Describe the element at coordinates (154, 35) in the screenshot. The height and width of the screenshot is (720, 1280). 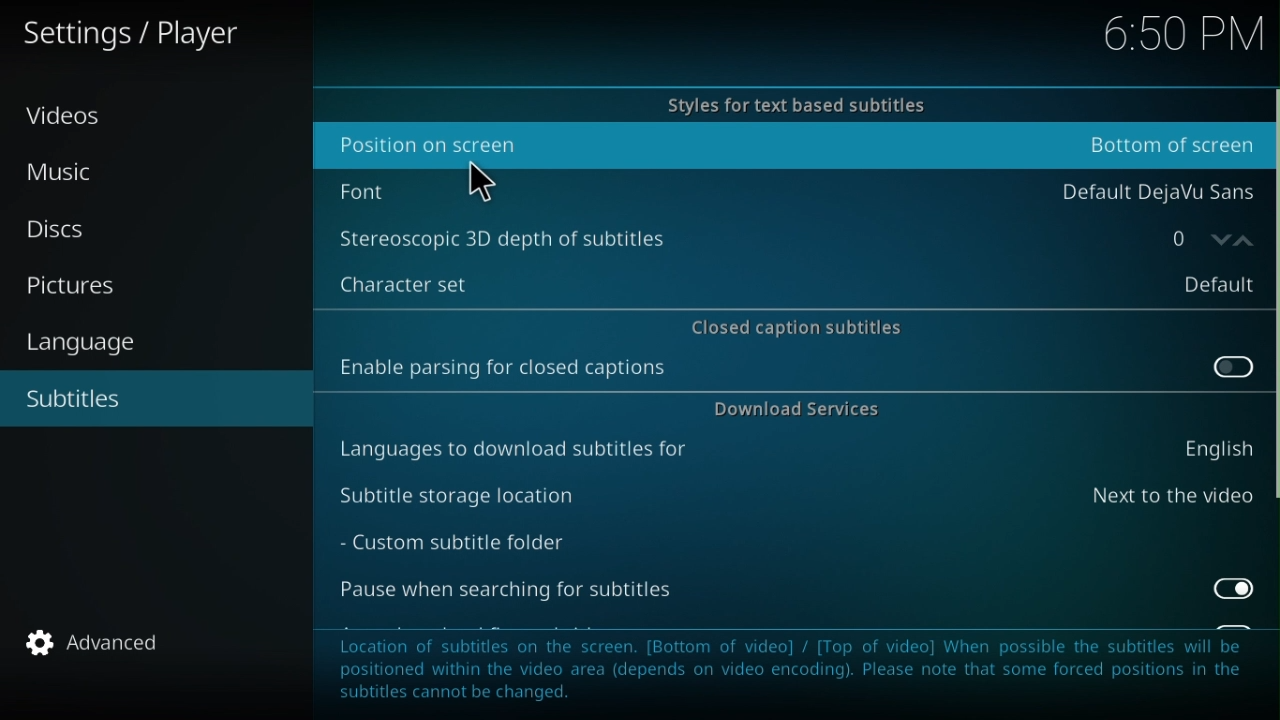
I see `Settings/player` at that location.